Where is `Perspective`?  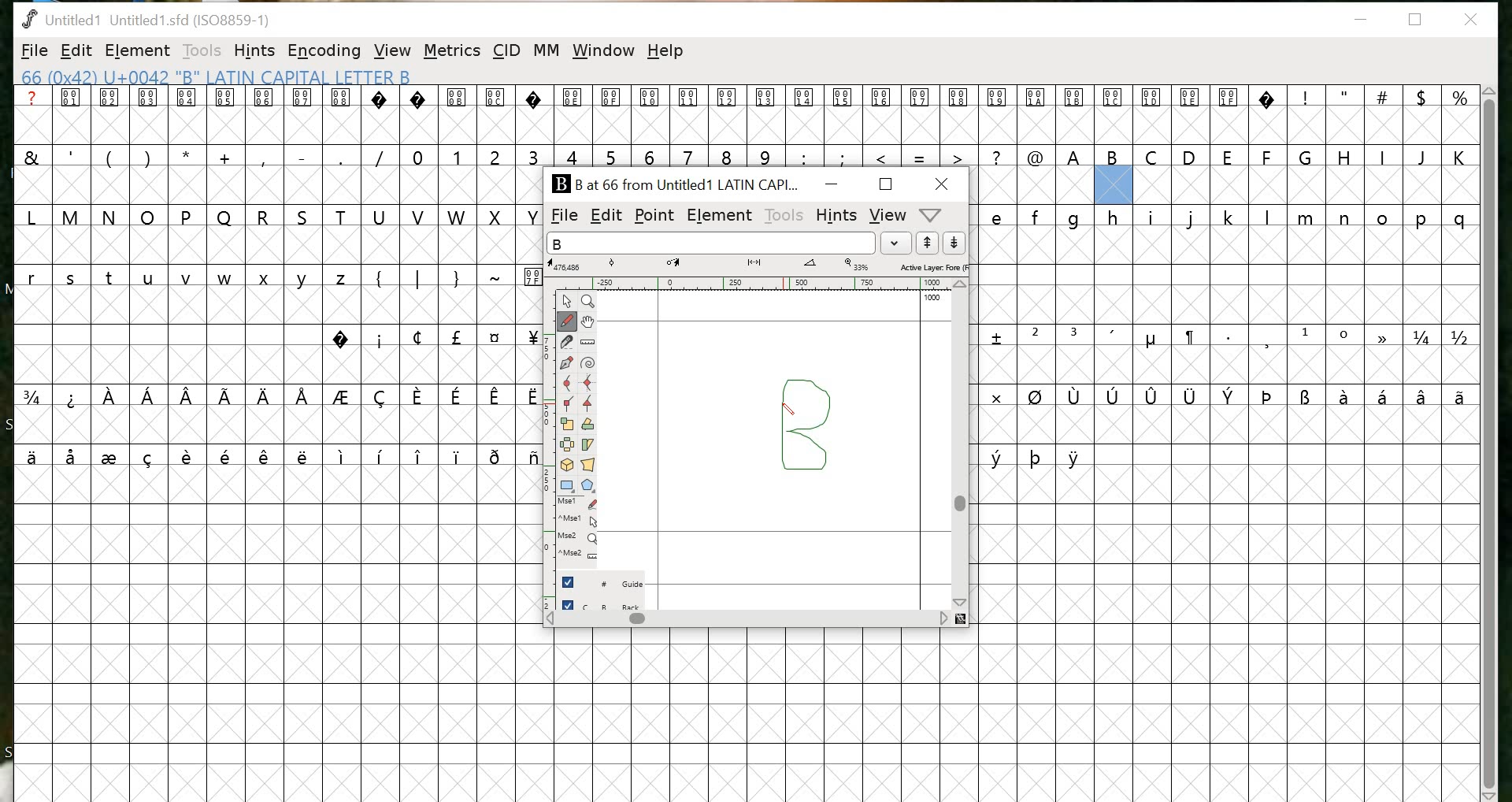
Perspective is located at coordinates (588, 466).